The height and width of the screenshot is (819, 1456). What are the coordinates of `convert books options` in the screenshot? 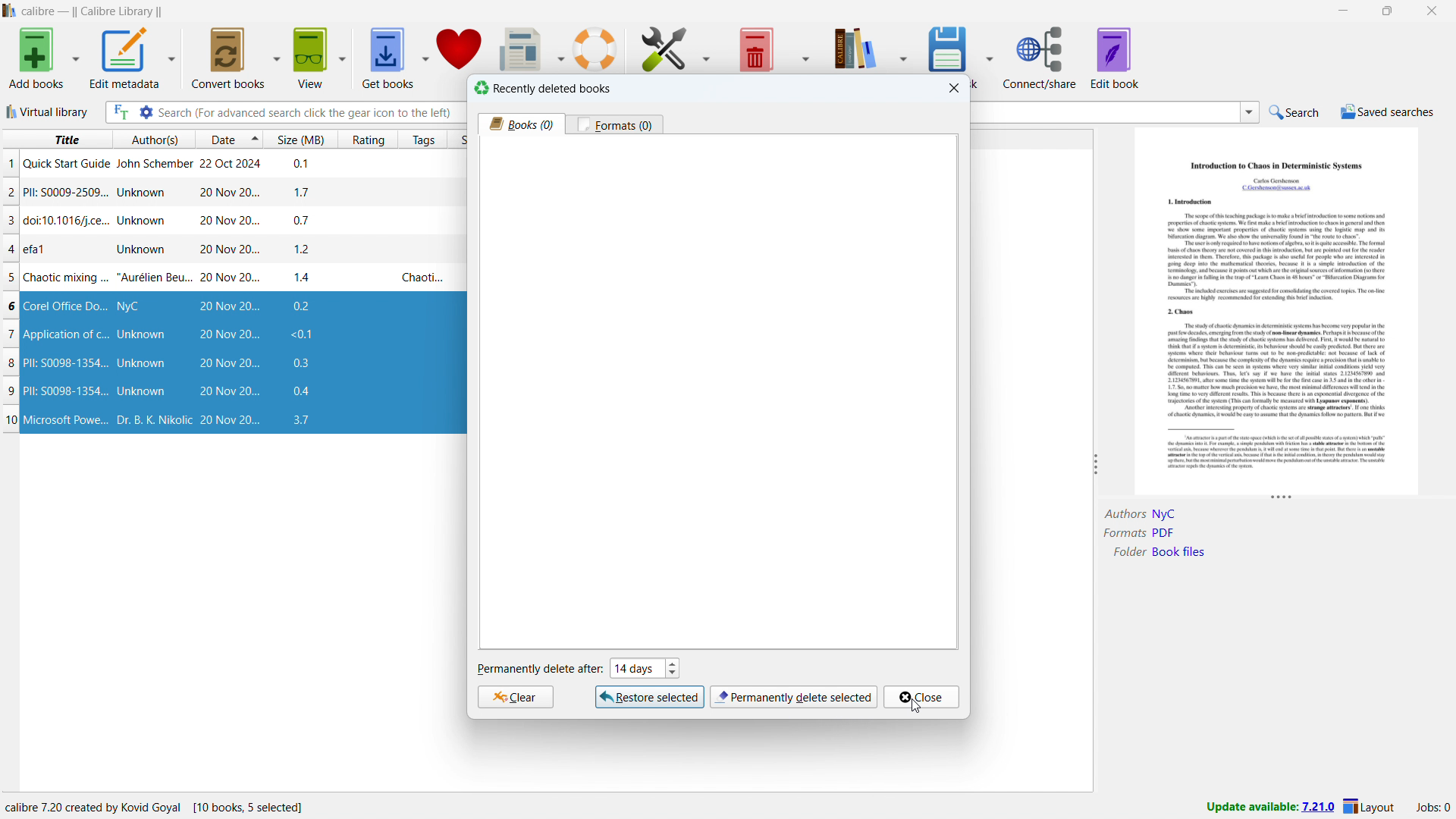 It's located at (276, 58).